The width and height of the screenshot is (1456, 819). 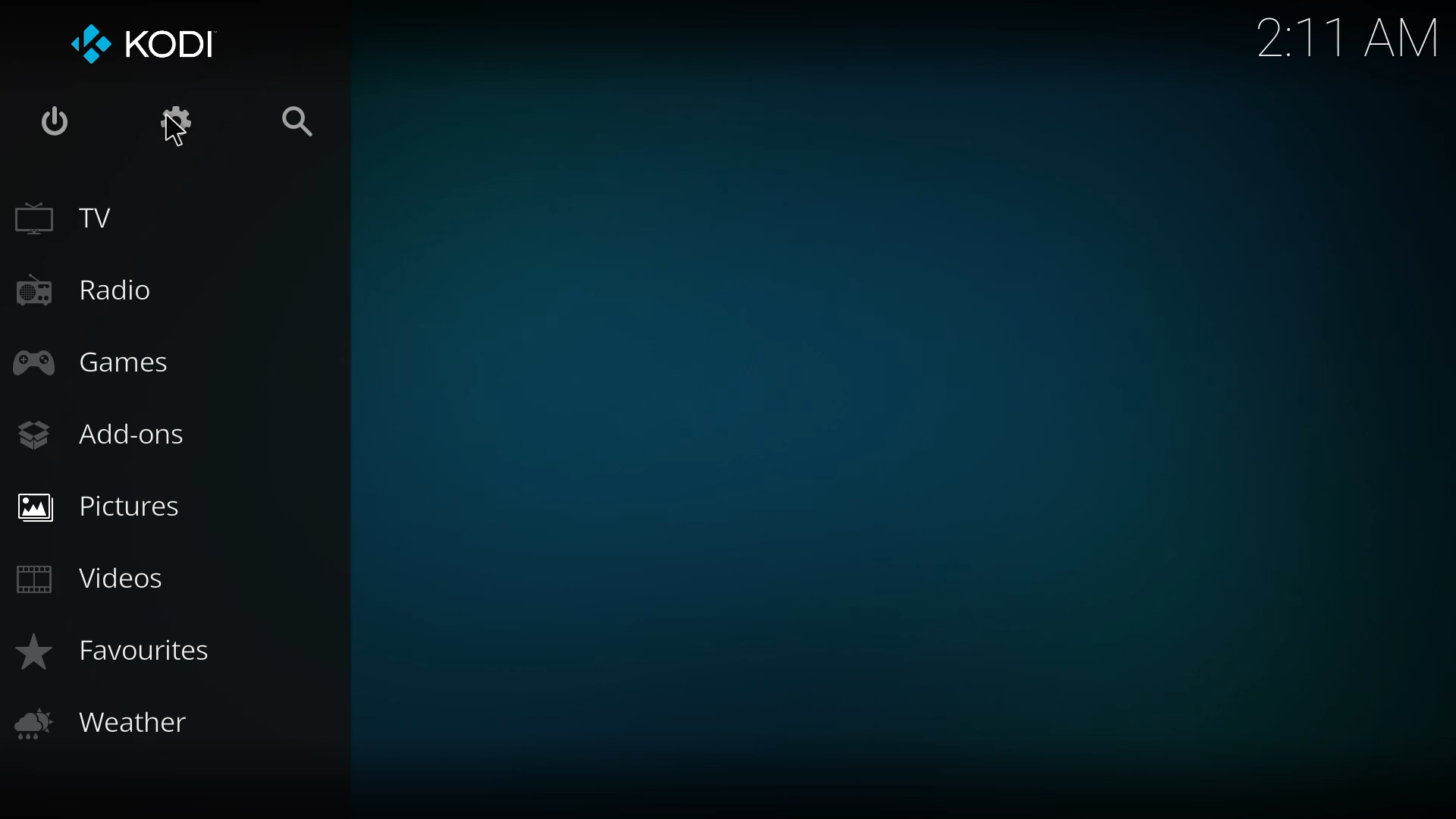 What do you see at coordinates (176, 121) in the screenshot?
I see `settings` at bounding box center [176, 121].